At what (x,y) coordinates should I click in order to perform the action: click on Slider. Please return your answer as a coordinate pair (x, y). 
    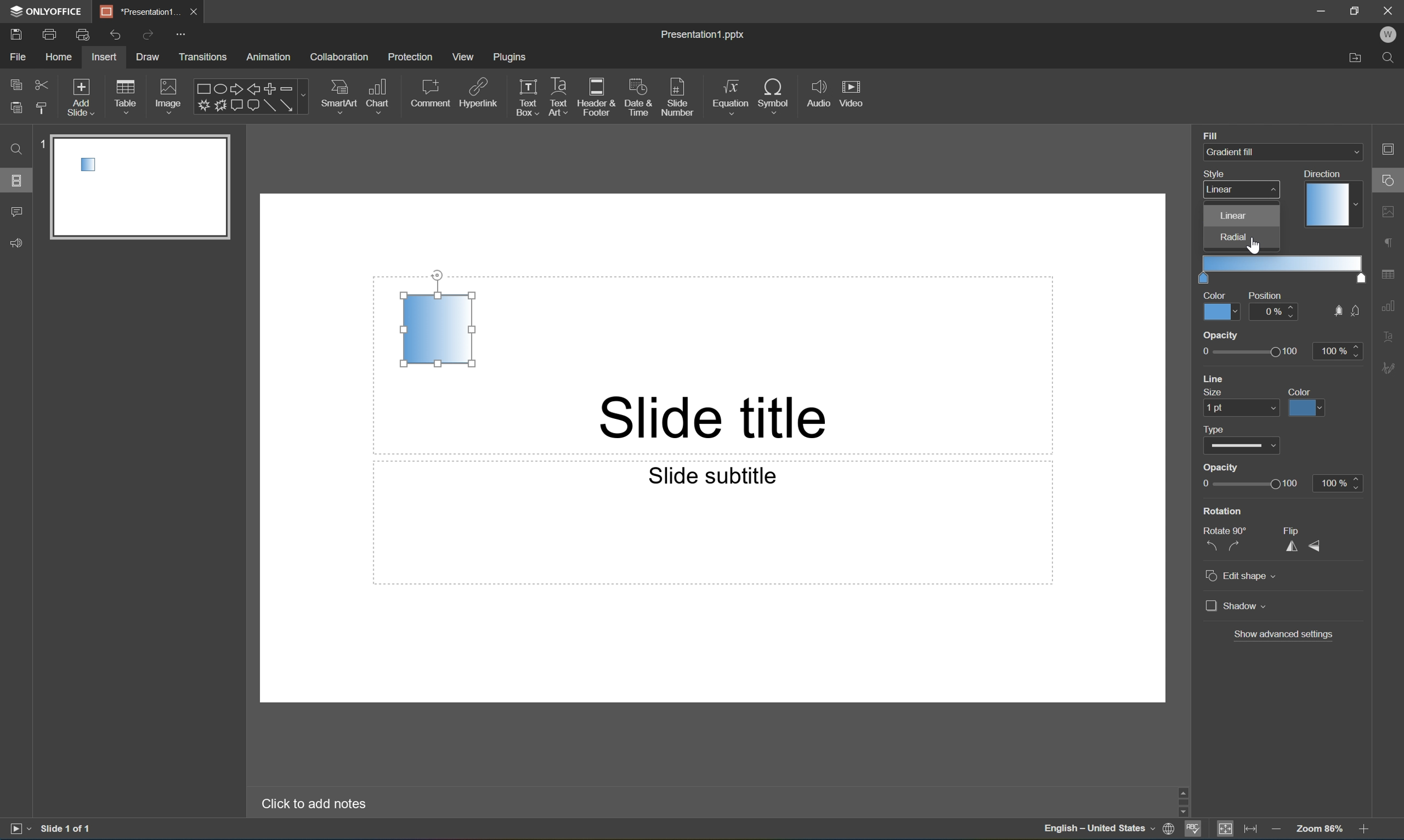
    Looking at the image, I should click on (1248, 485).